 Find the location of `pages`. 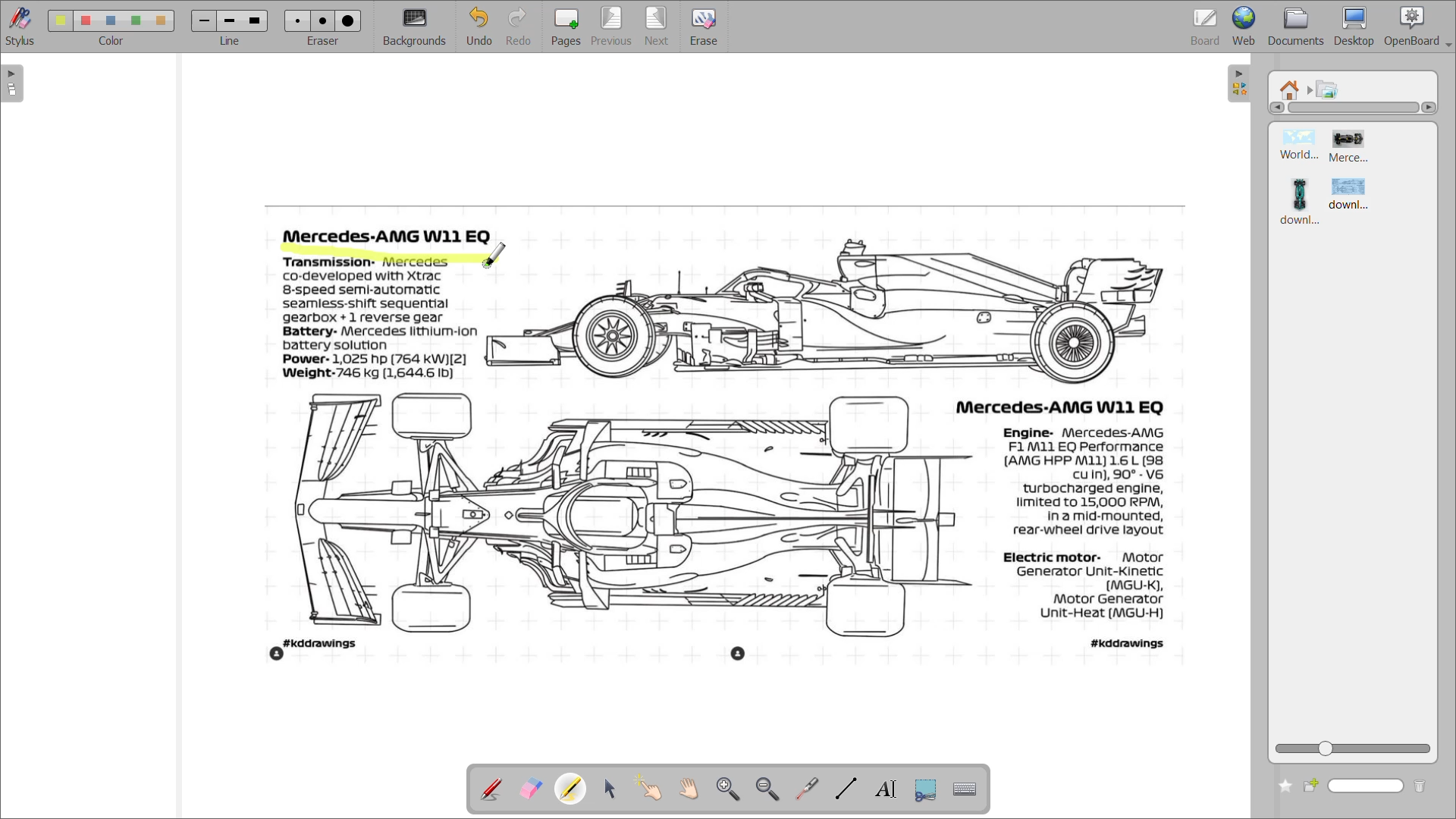

pages is located at coordinates (569, 24).